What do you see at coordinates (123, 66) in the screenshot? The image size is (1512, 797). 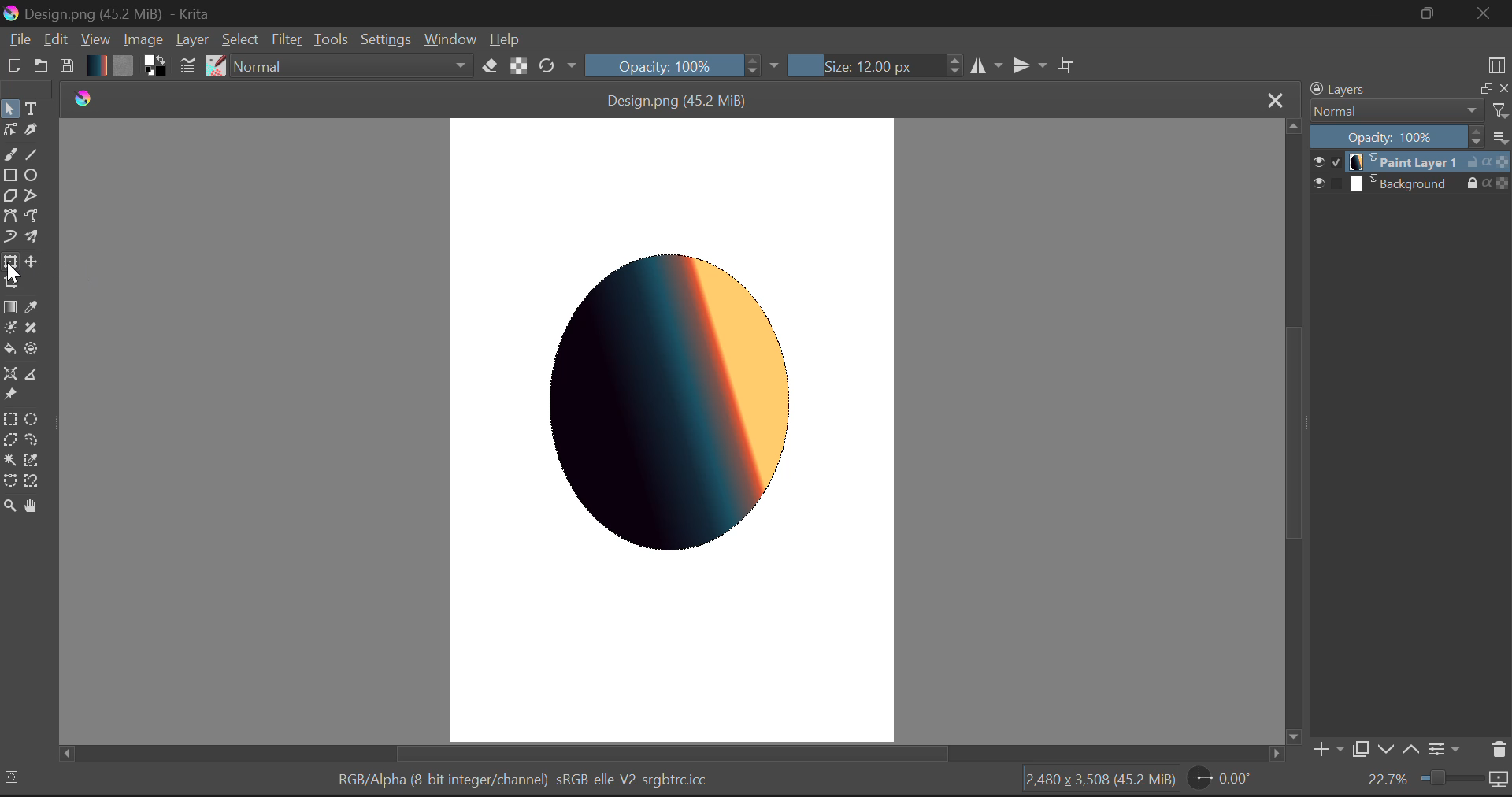 I see `Pattern` at bounding box center [123, 66].